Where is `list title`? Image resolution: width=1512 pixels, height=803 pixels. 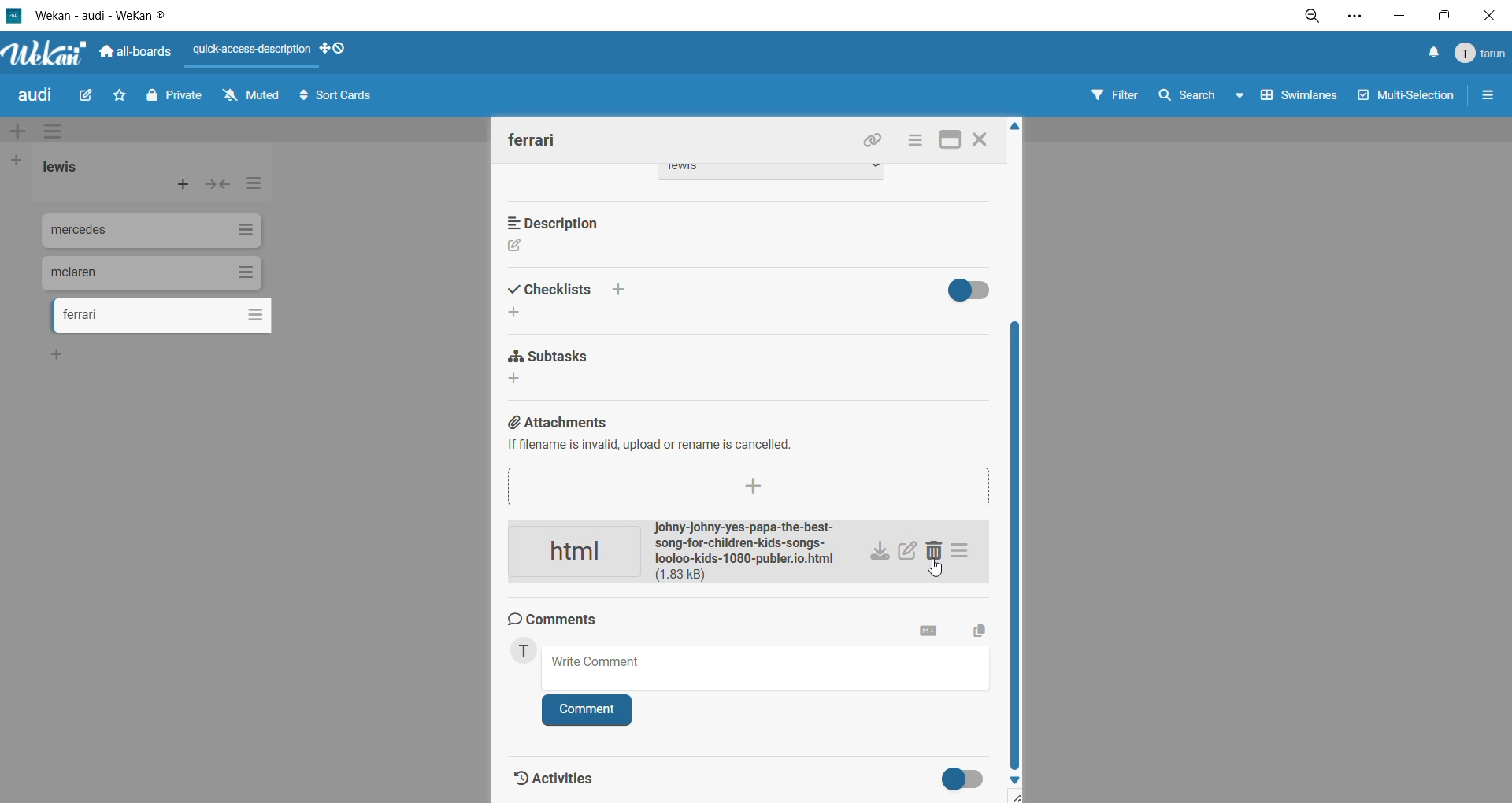
list title is located at coordinates (62, 168).